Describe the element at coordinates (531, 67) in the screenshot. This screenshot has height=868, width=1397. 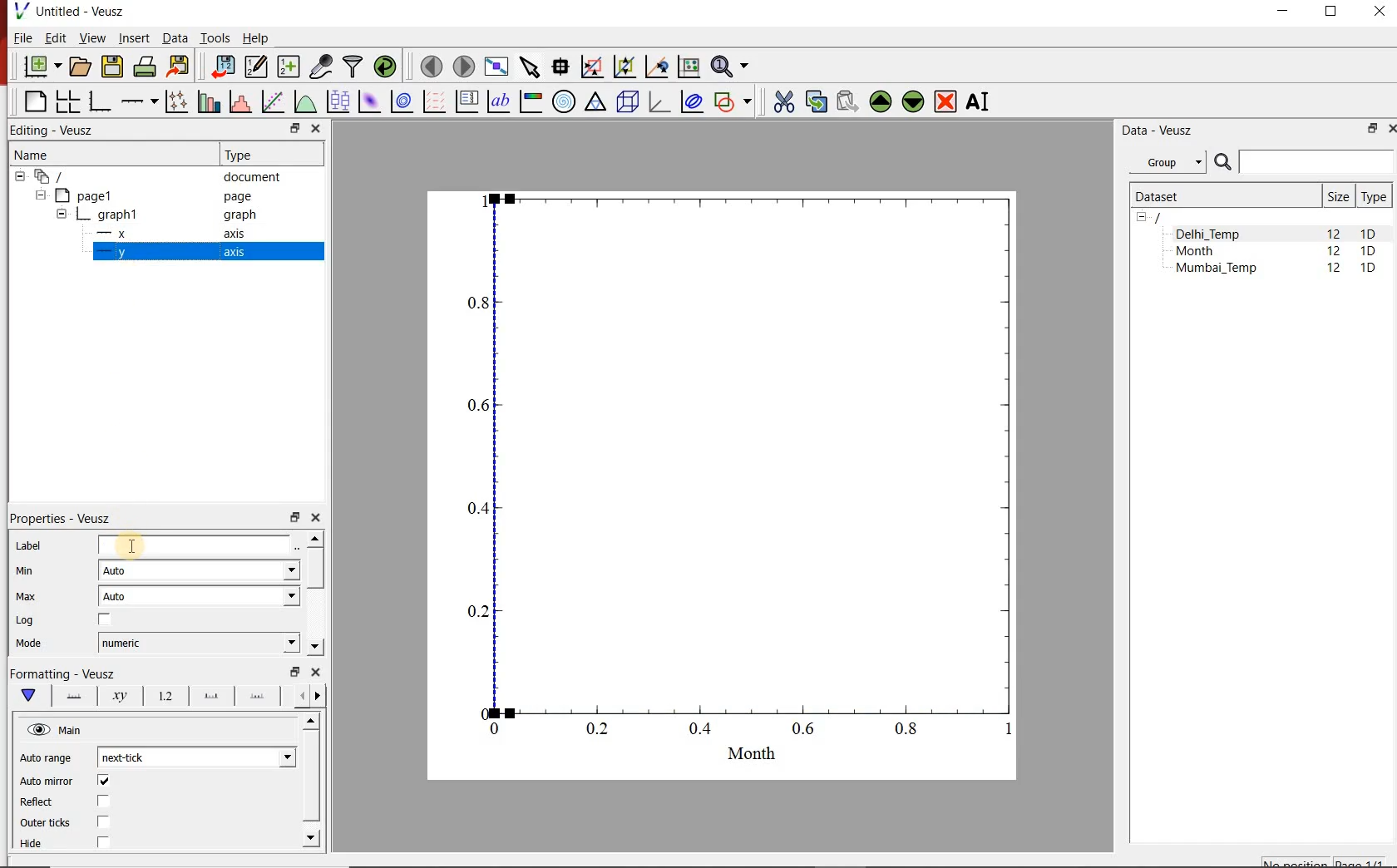
I see `select items from the graph or scroll` at that location.